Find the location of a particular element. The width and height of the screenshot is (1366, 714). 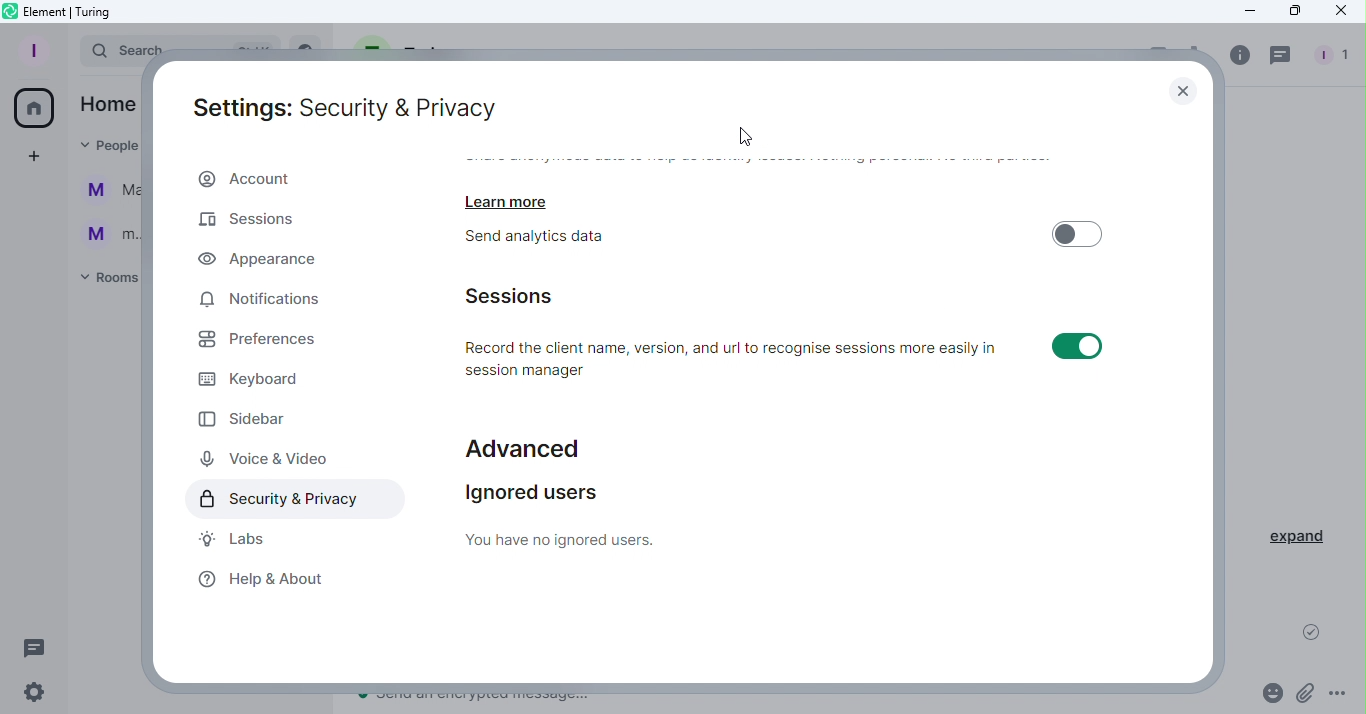

Minimize is located at coordinates (1244, 13).